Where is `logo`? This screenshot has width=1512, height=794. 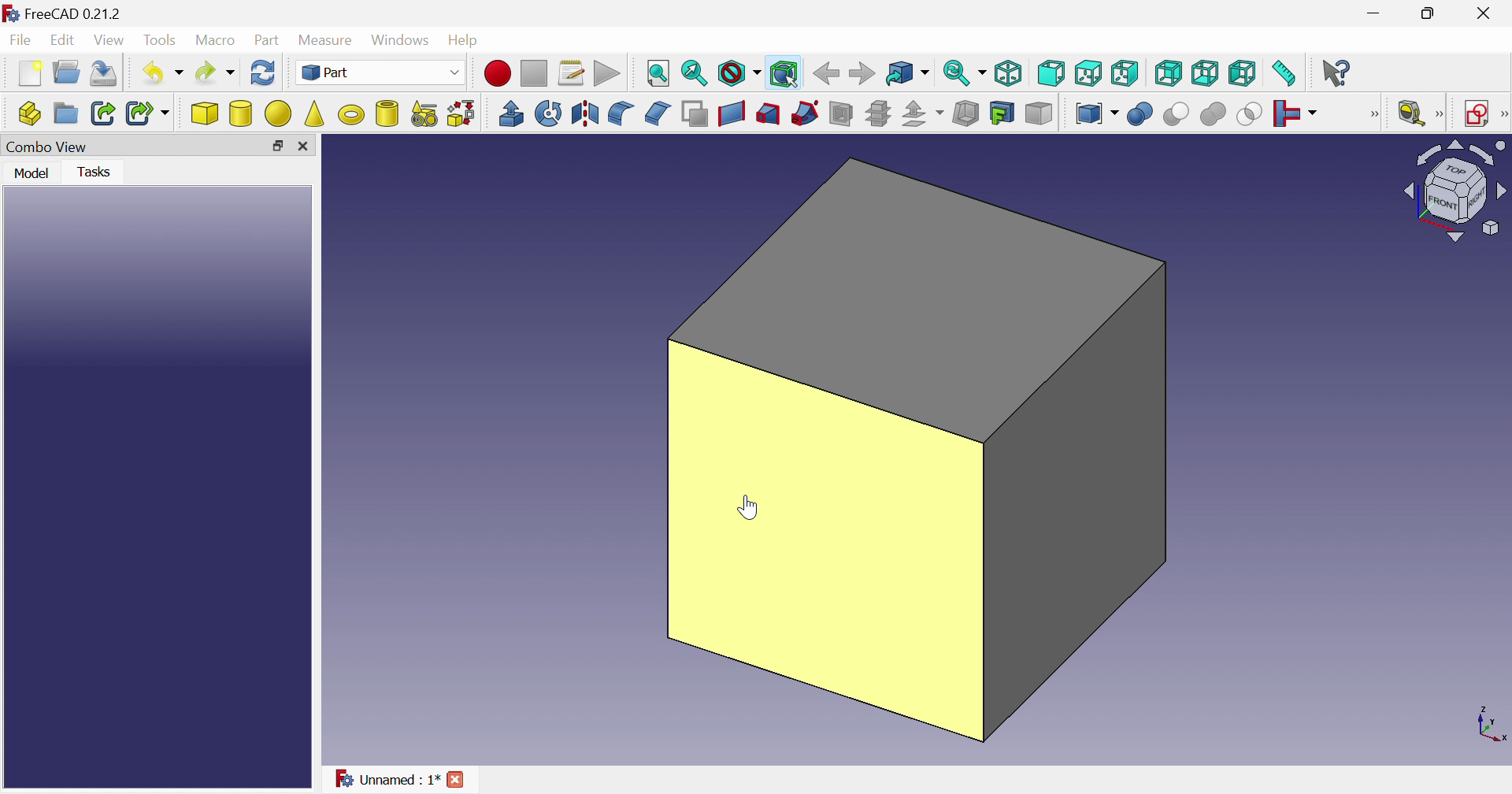 logo is located at coordinates (11, 13).